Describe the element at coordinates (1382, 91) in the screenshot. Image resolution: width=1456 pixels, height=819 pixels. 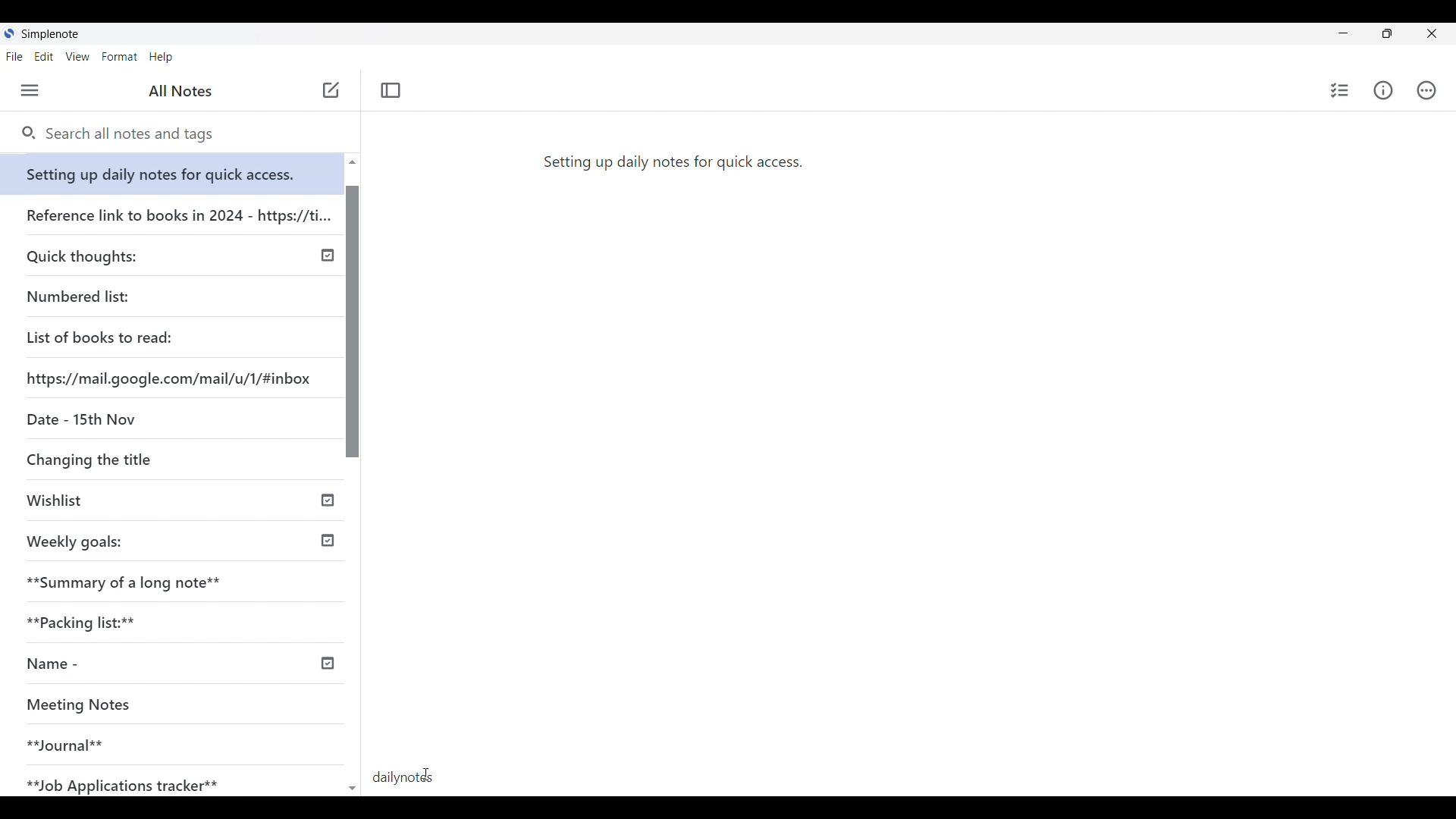
I see `Info` at that location.